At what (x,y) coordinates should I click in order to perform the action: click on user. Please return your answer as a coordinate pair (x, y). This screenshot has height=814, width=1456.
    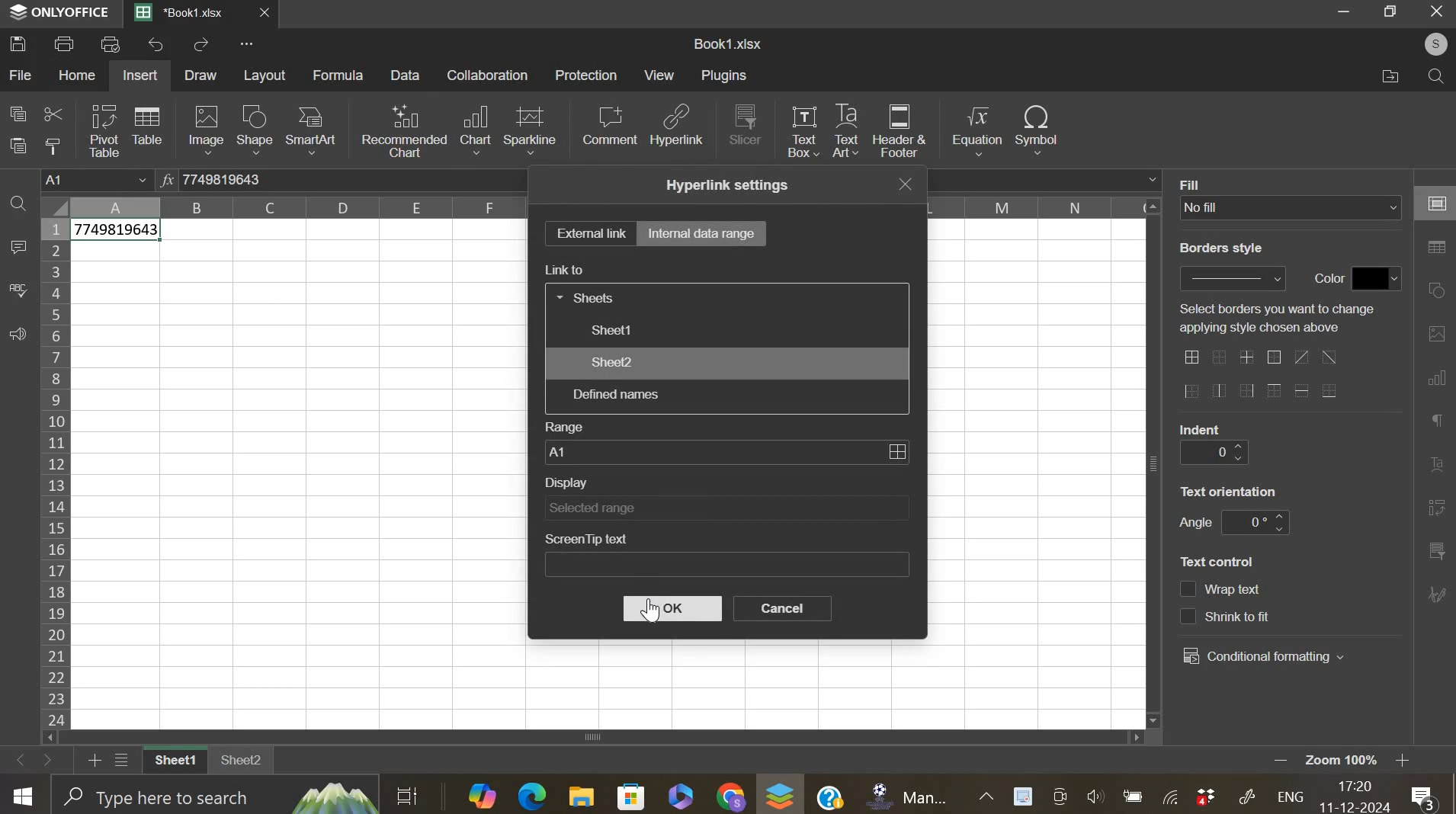
    Looking at the image, I should click on (1429, 43).